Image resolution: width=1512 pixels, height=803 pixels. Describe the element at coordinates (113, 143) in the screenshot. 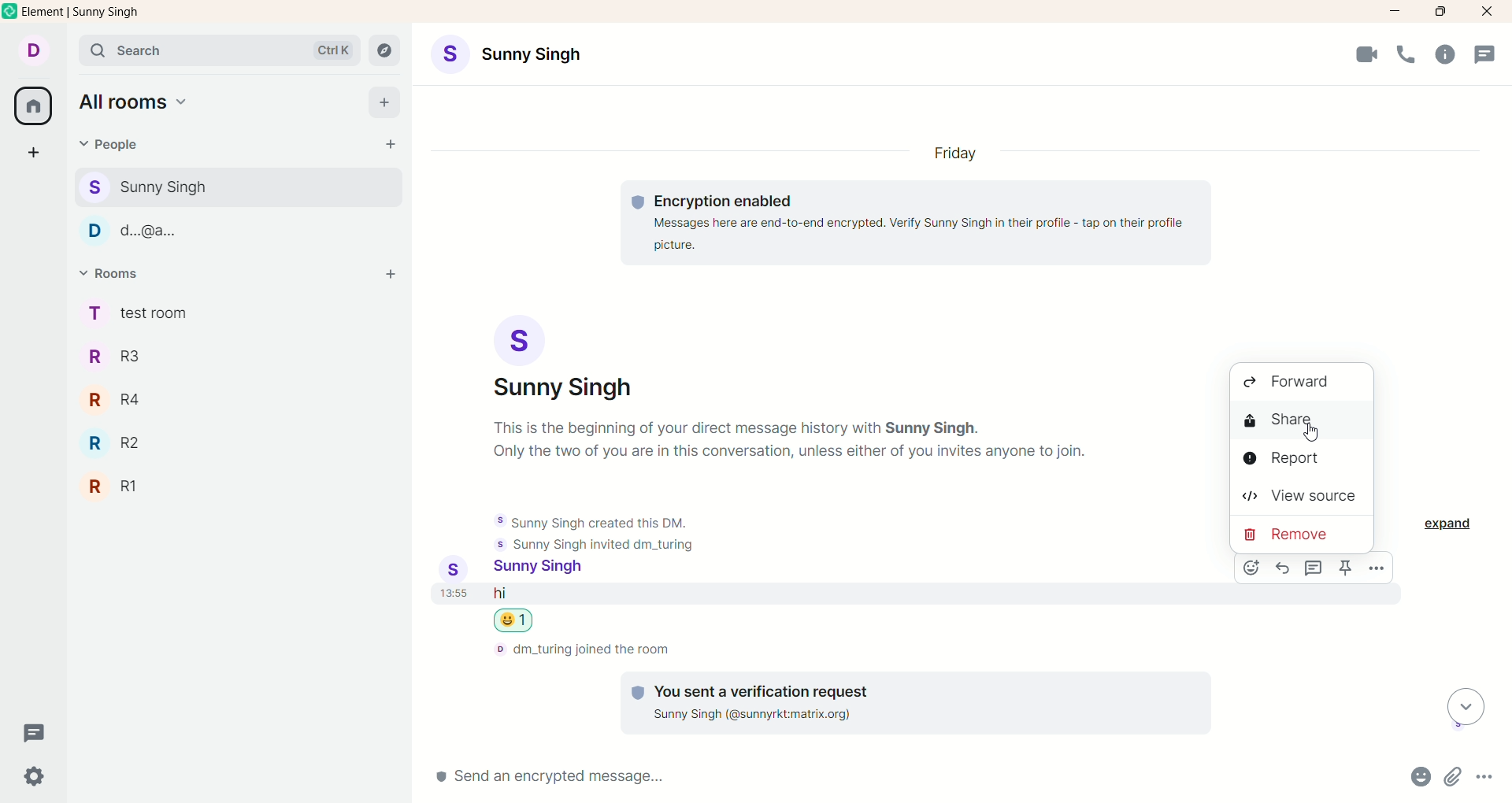

I see `people` at that location.